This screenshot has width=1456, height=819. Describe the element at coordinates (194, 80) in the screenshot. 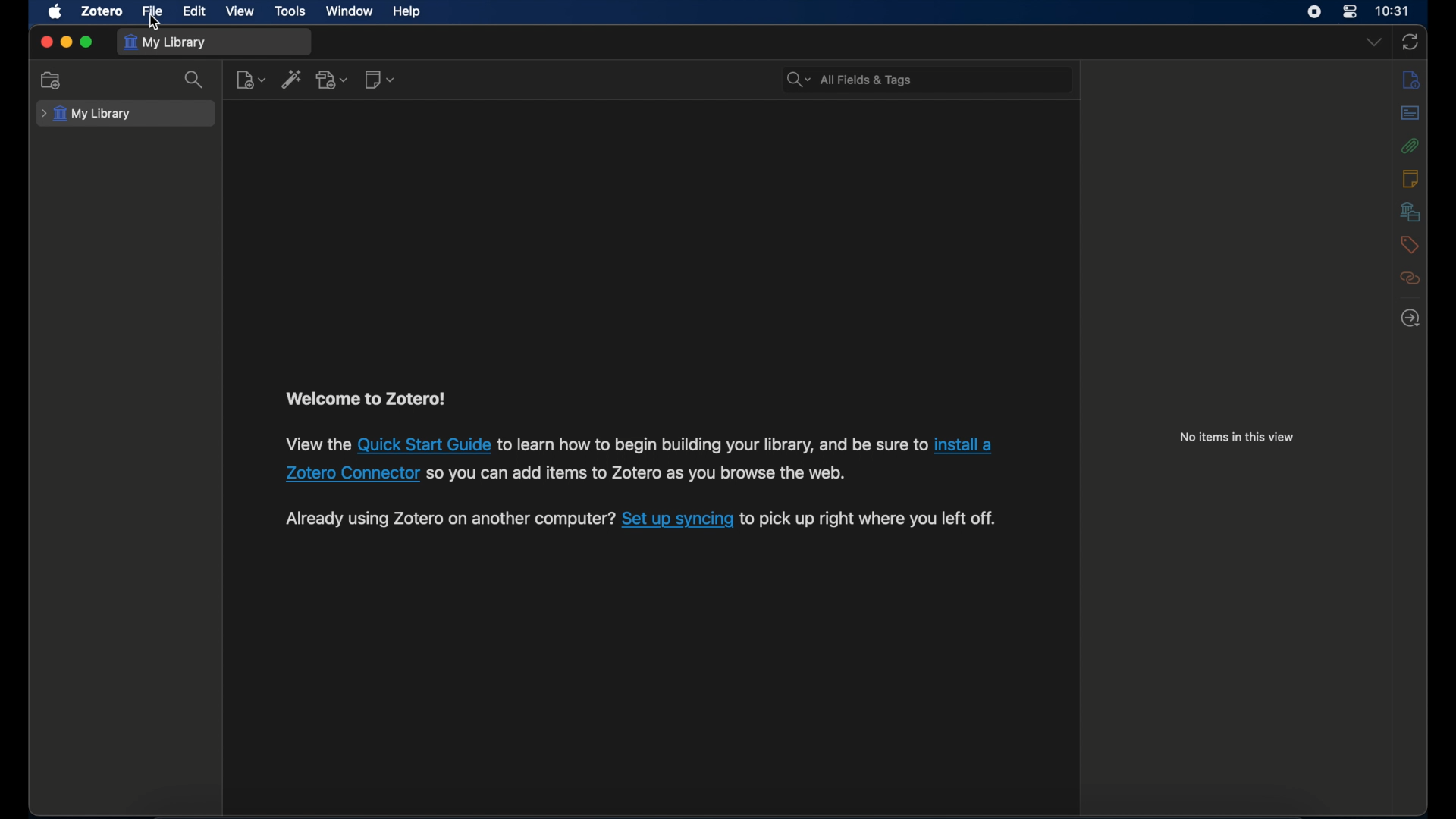

I see `search` at that location.